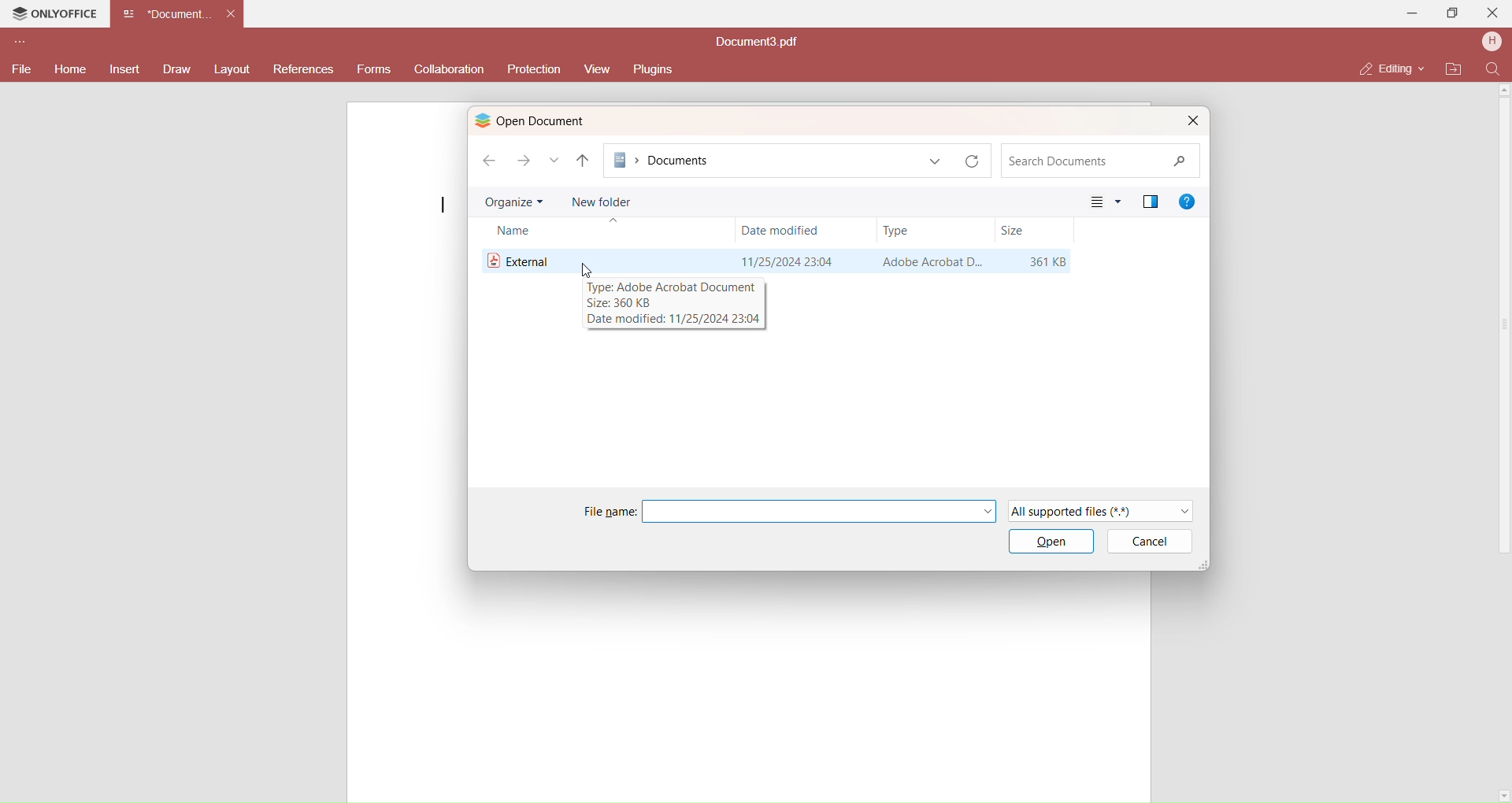 The height and width of the screenshot is (803, 1512). I want to click on View, so click(595, 69).